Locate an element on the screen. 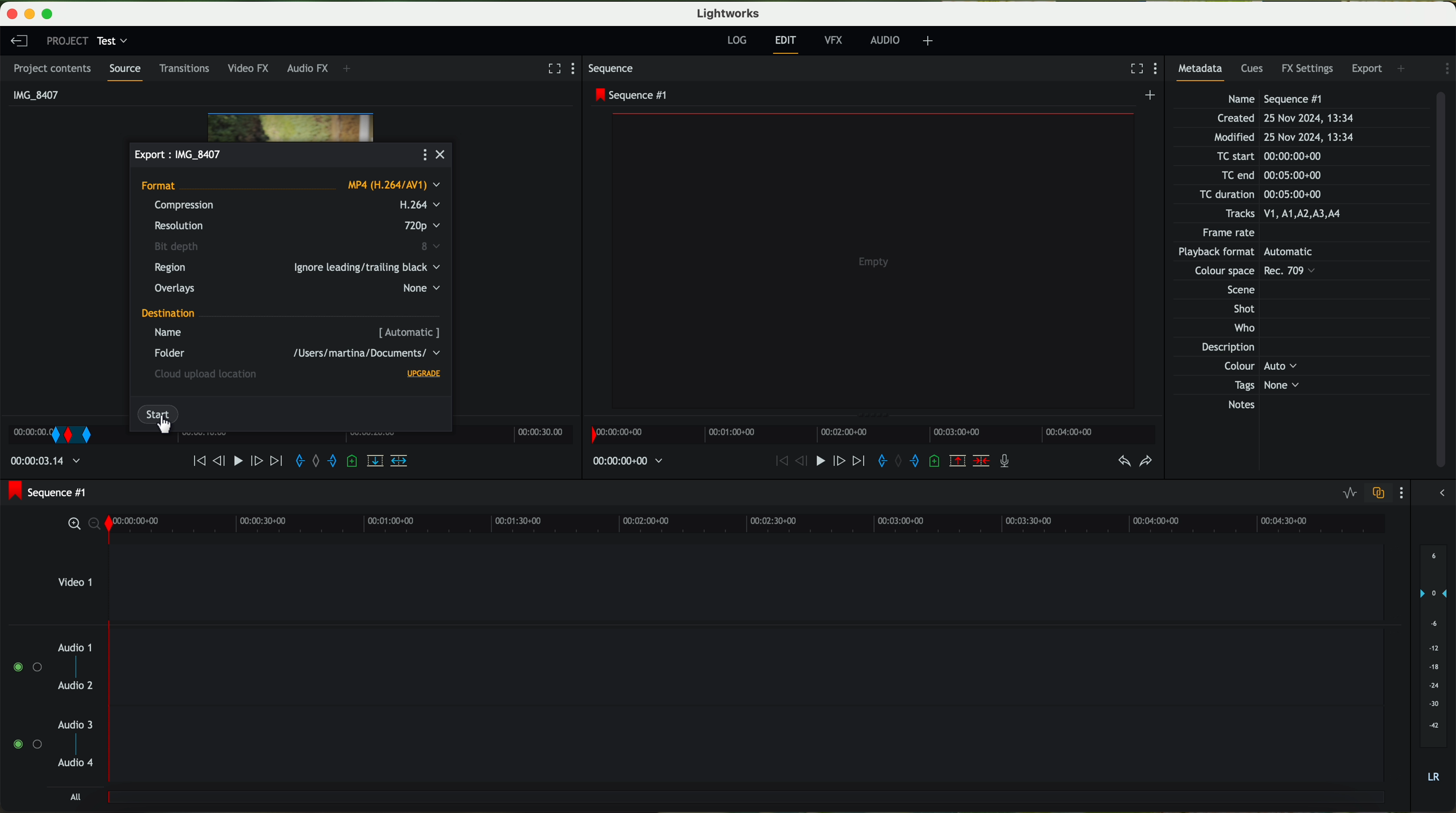 The image size is (1456, 813). sequence #1 is located at coordinates (49, 492).